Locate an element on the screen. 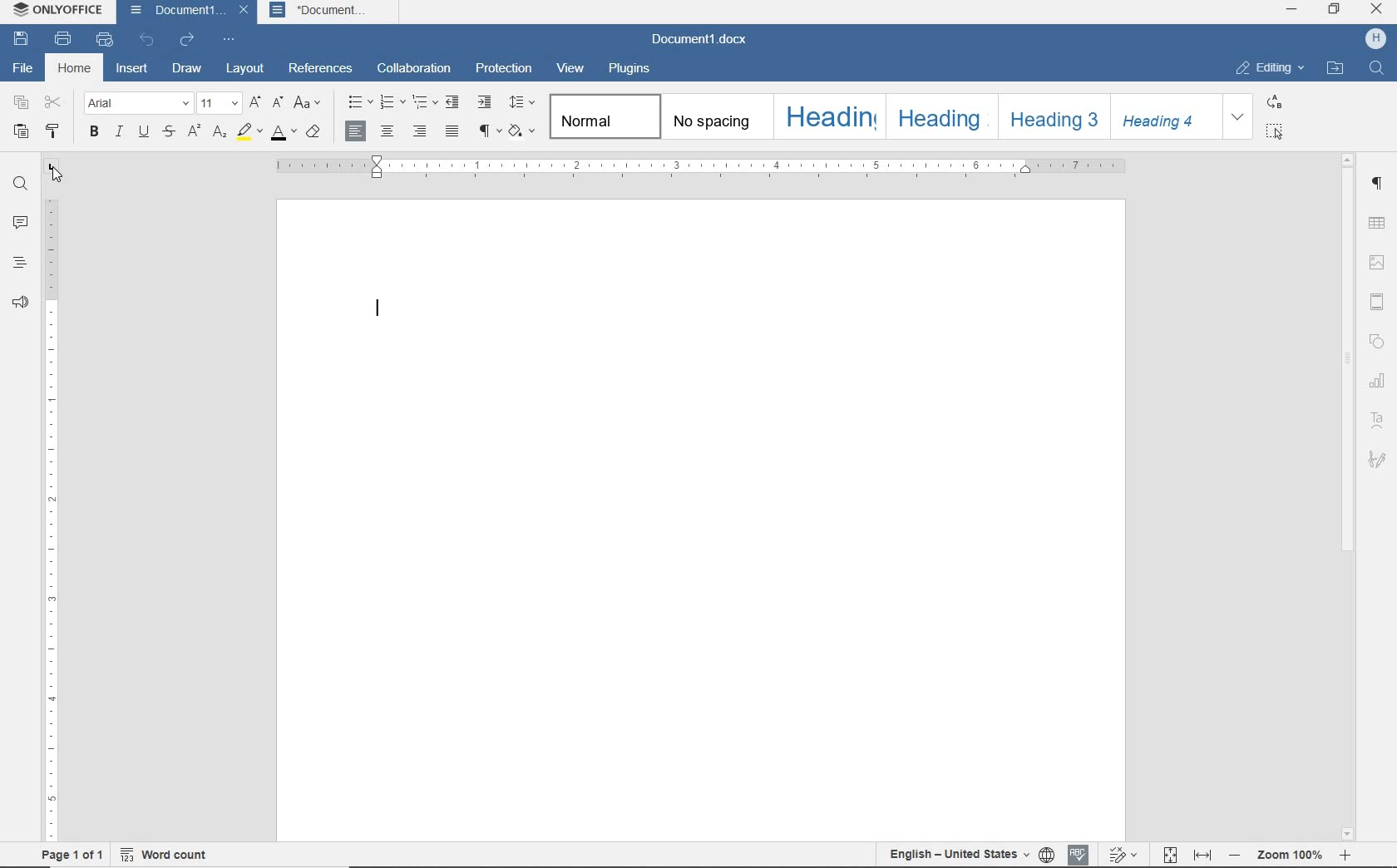 The image size is (1397, 868). CHANGE CASE is located at coordinates (309, 104).